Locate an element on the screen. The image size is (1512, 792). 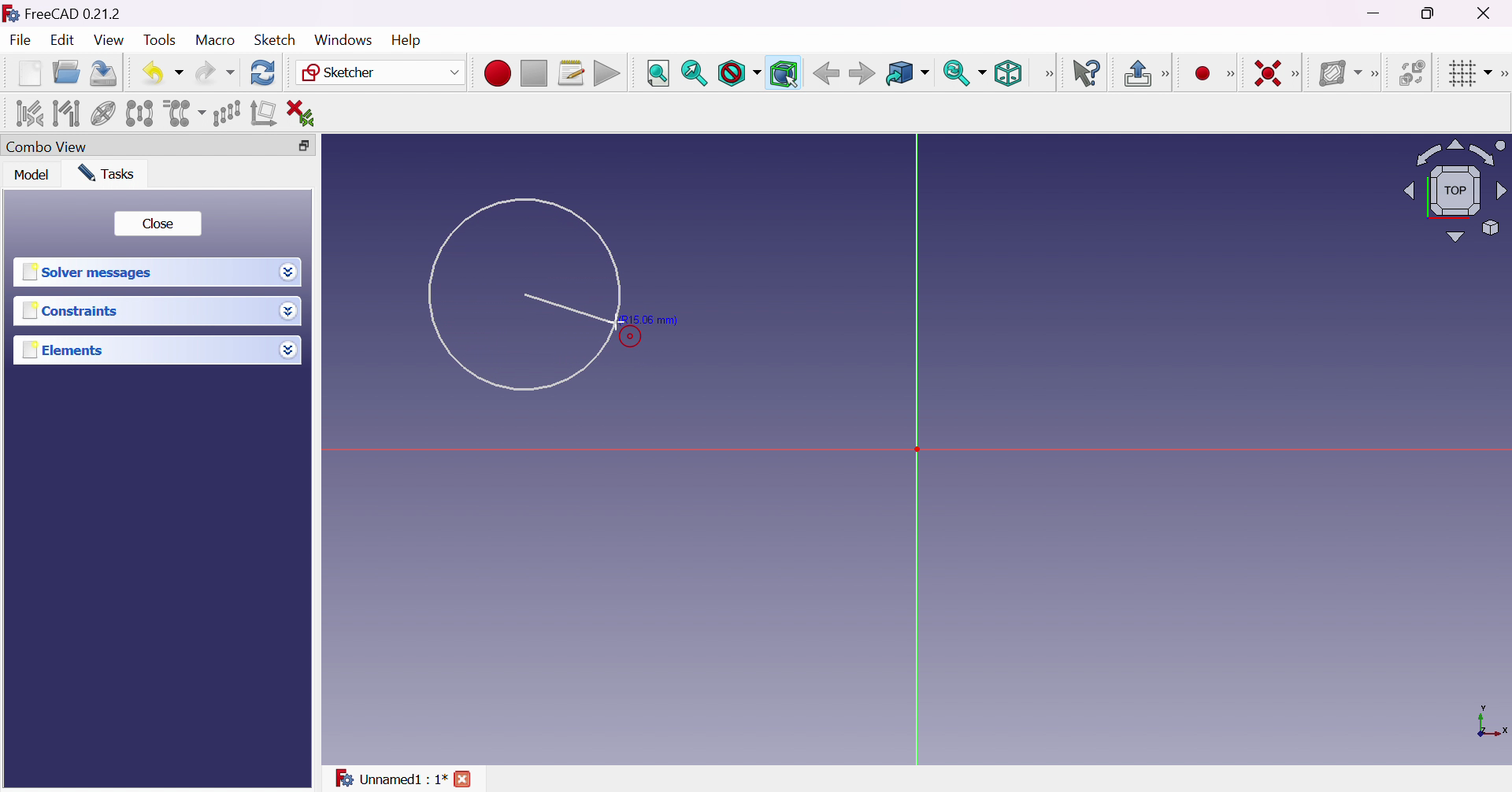
Show/hide internal geometry is located at coordinates (105, 115).